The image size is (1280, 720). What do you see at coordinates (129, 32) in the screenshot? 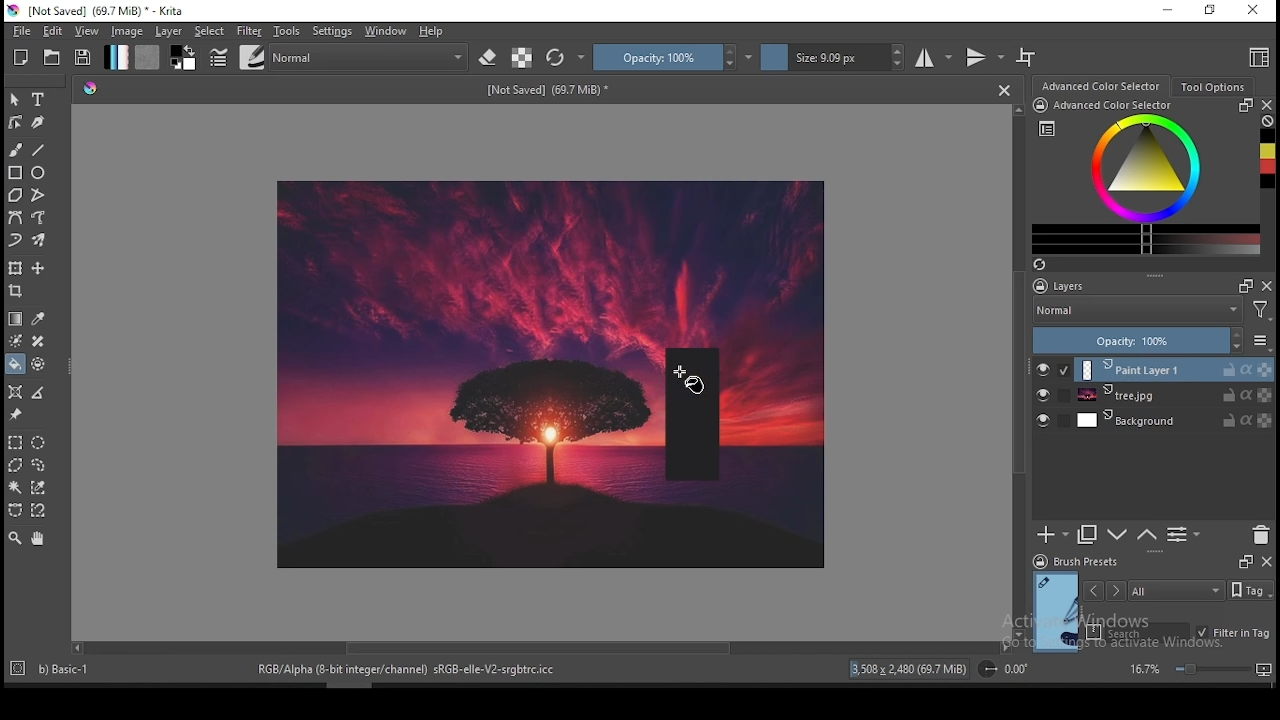
I see `image` at bounding box center [129, 32].